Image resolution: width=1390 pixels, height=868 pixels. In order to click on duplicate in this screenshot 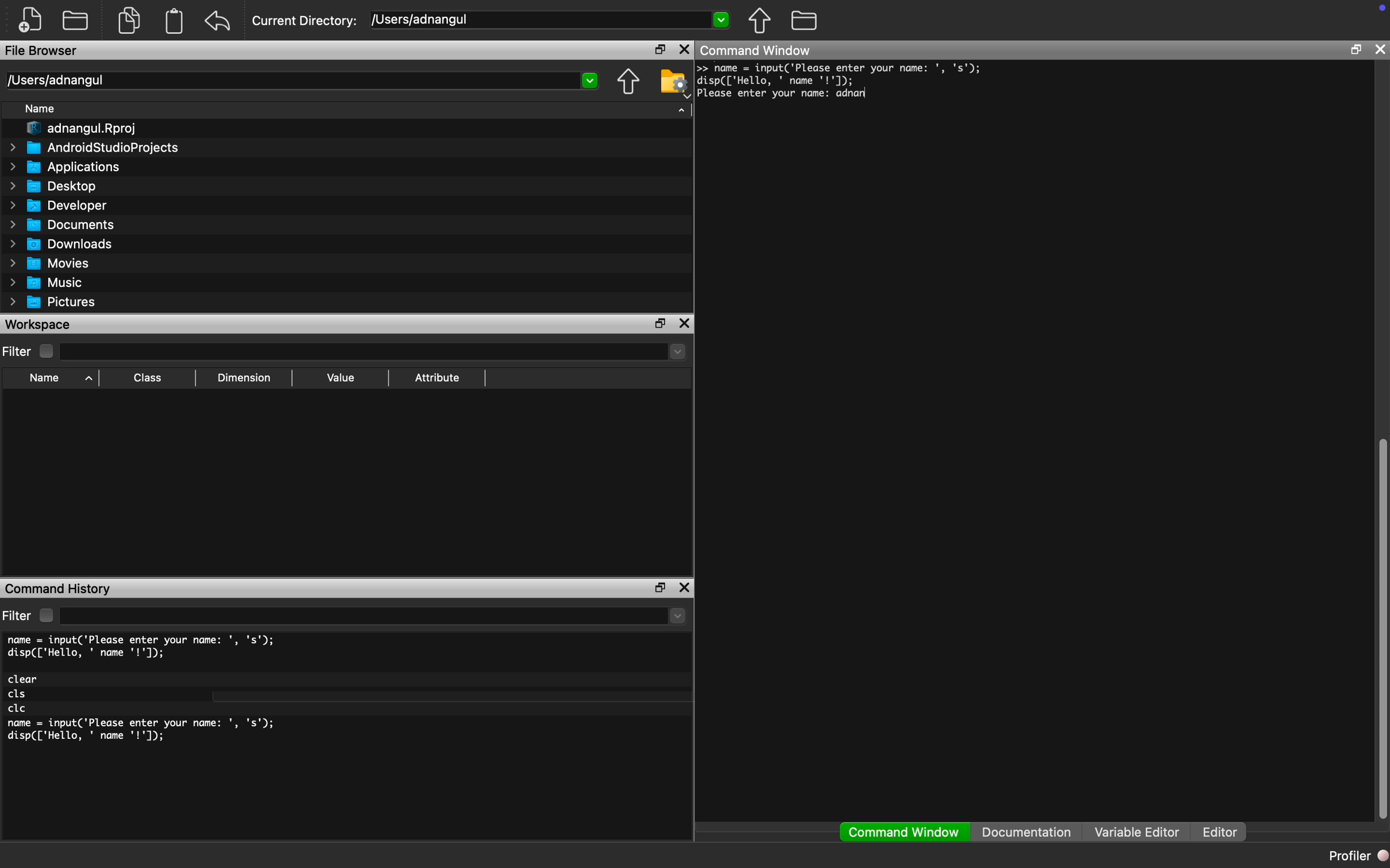, I will do `click(130, 20)`.